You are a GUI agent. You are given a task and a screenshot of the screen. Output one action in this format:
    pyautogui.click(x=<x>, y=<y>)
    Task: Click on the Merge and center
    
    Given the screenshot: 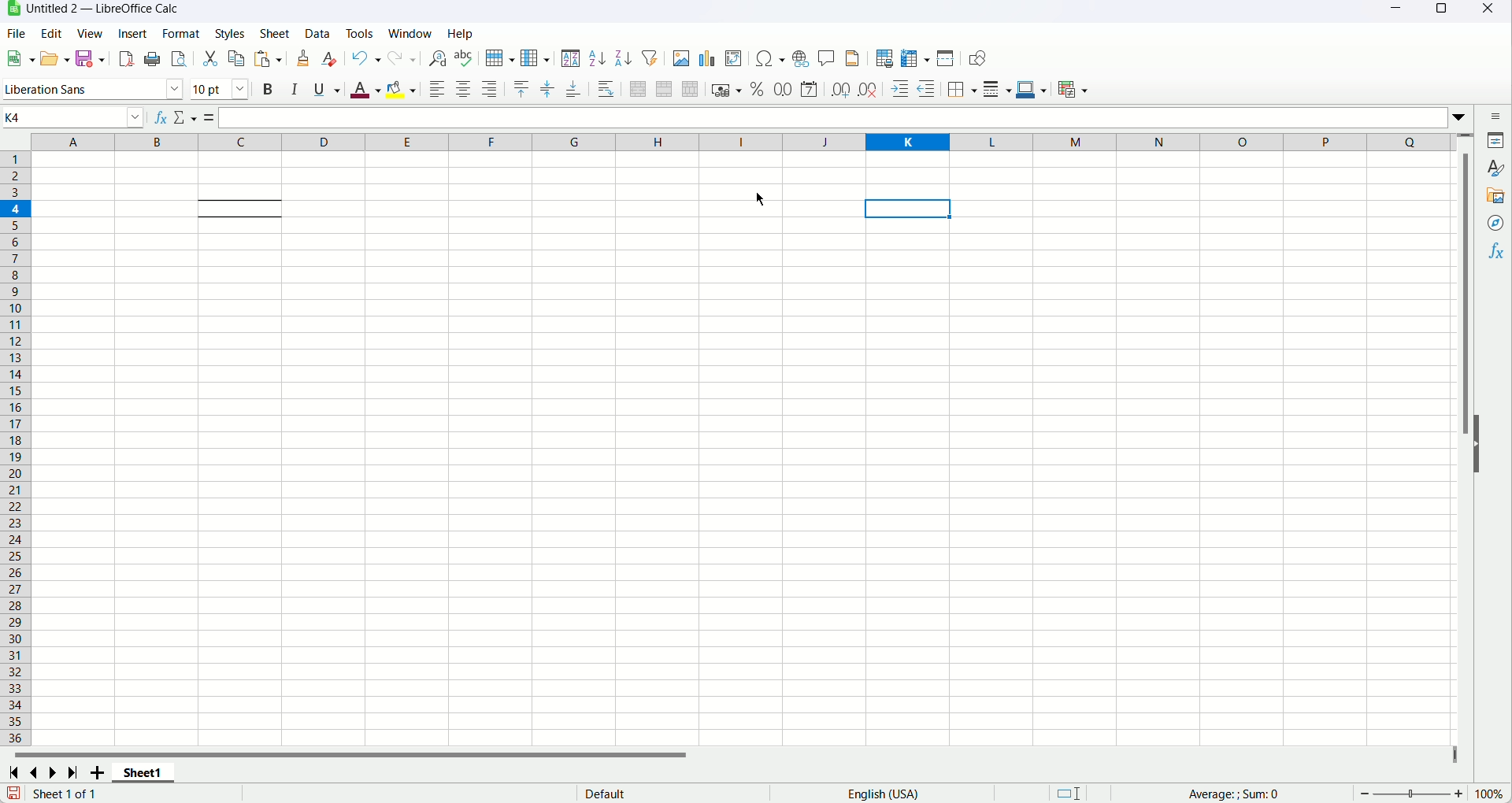 What is the action you would take?
    pyautogui.click(x=638, y=89)
    